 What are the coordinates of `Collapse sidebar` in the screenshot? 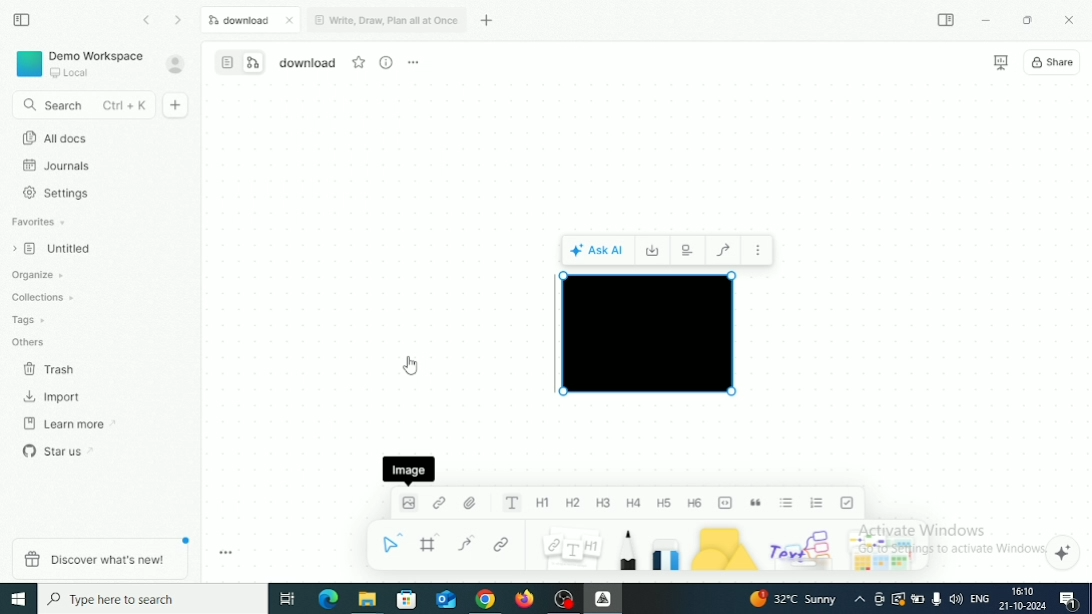 It's located at (23, 20).